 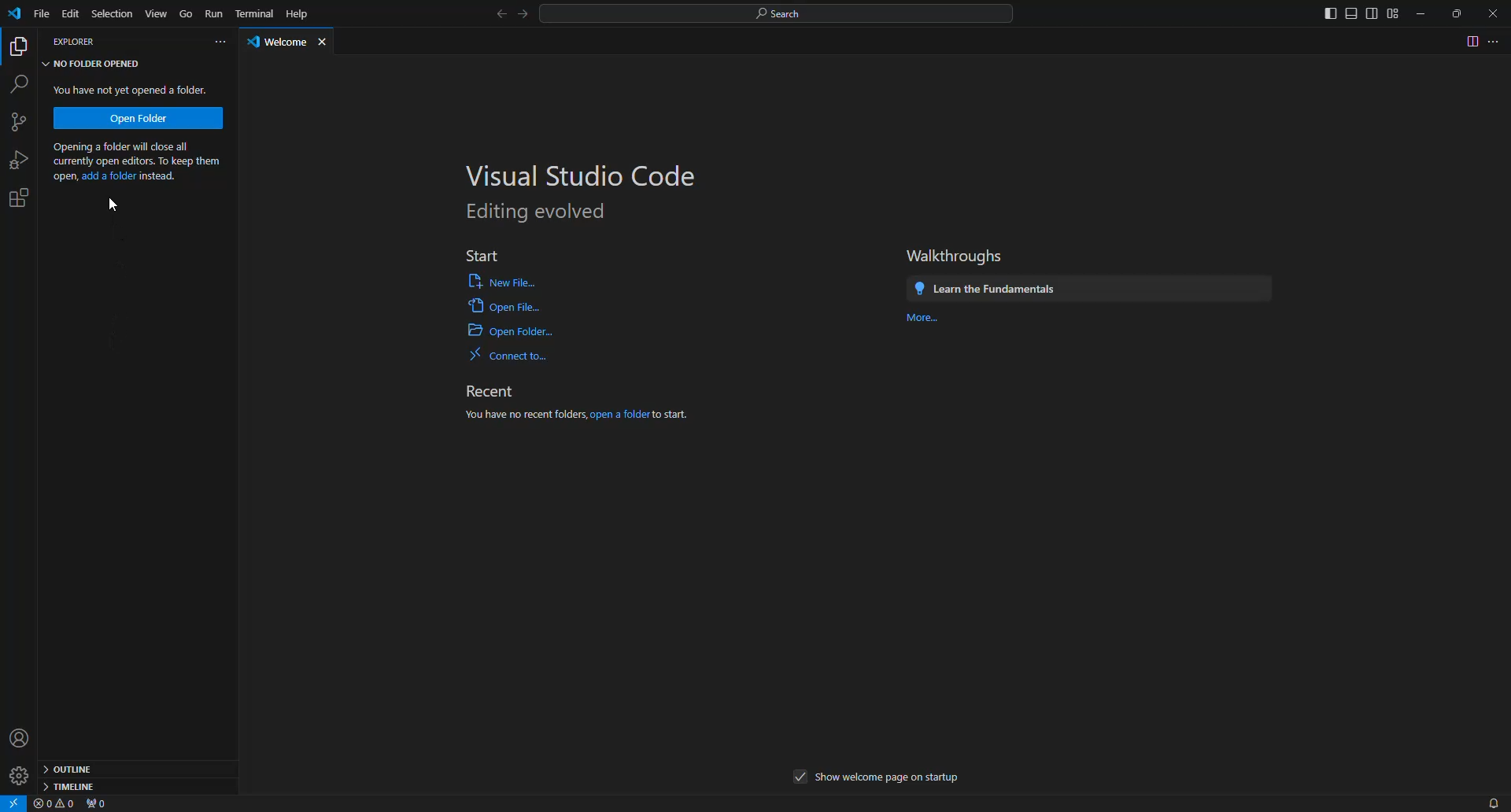 I want to click on recent, so click(x=491, y=392).